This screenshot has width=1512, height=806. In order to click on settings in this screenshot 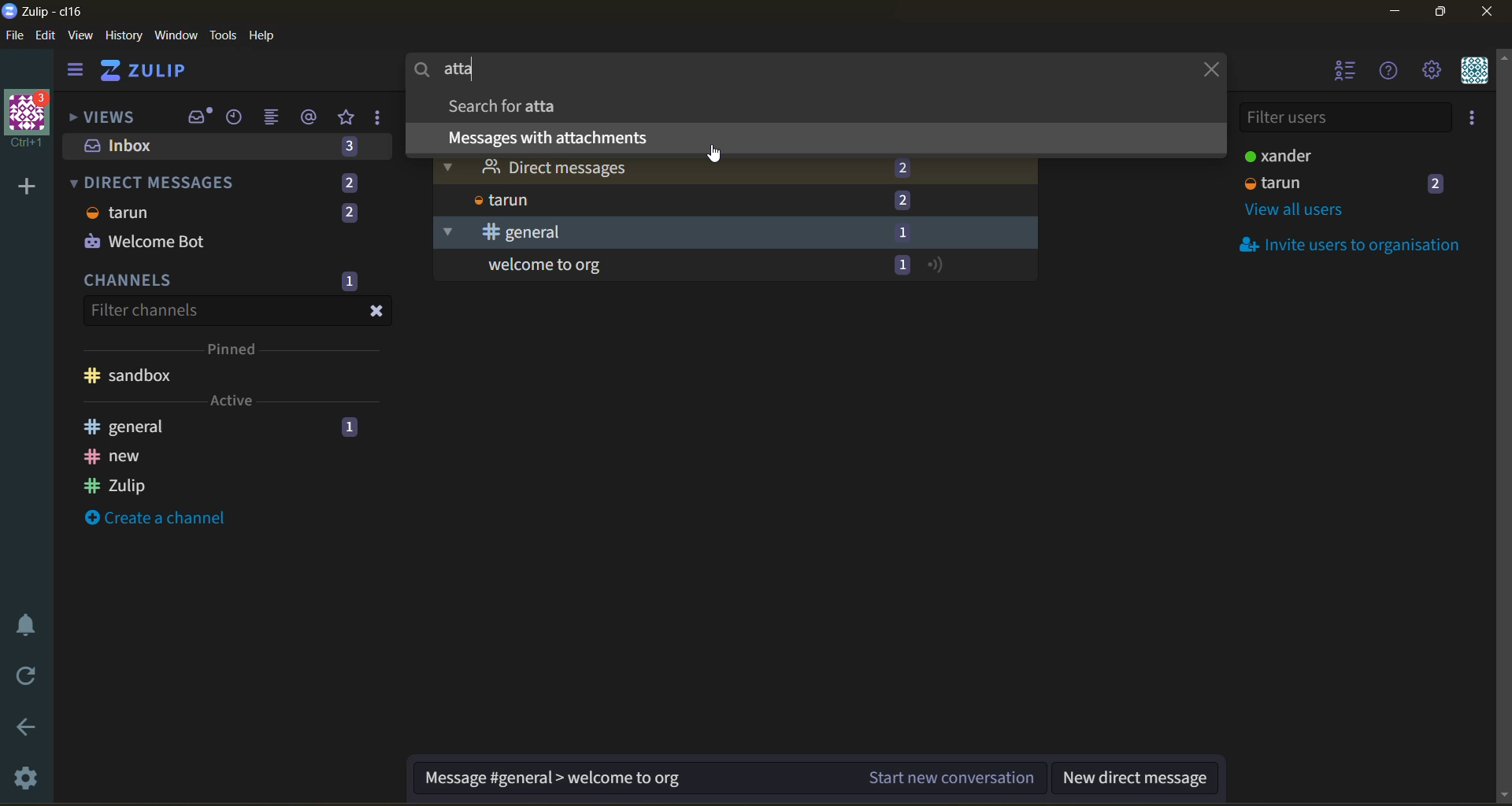, I will do `click(1432, 71)`.